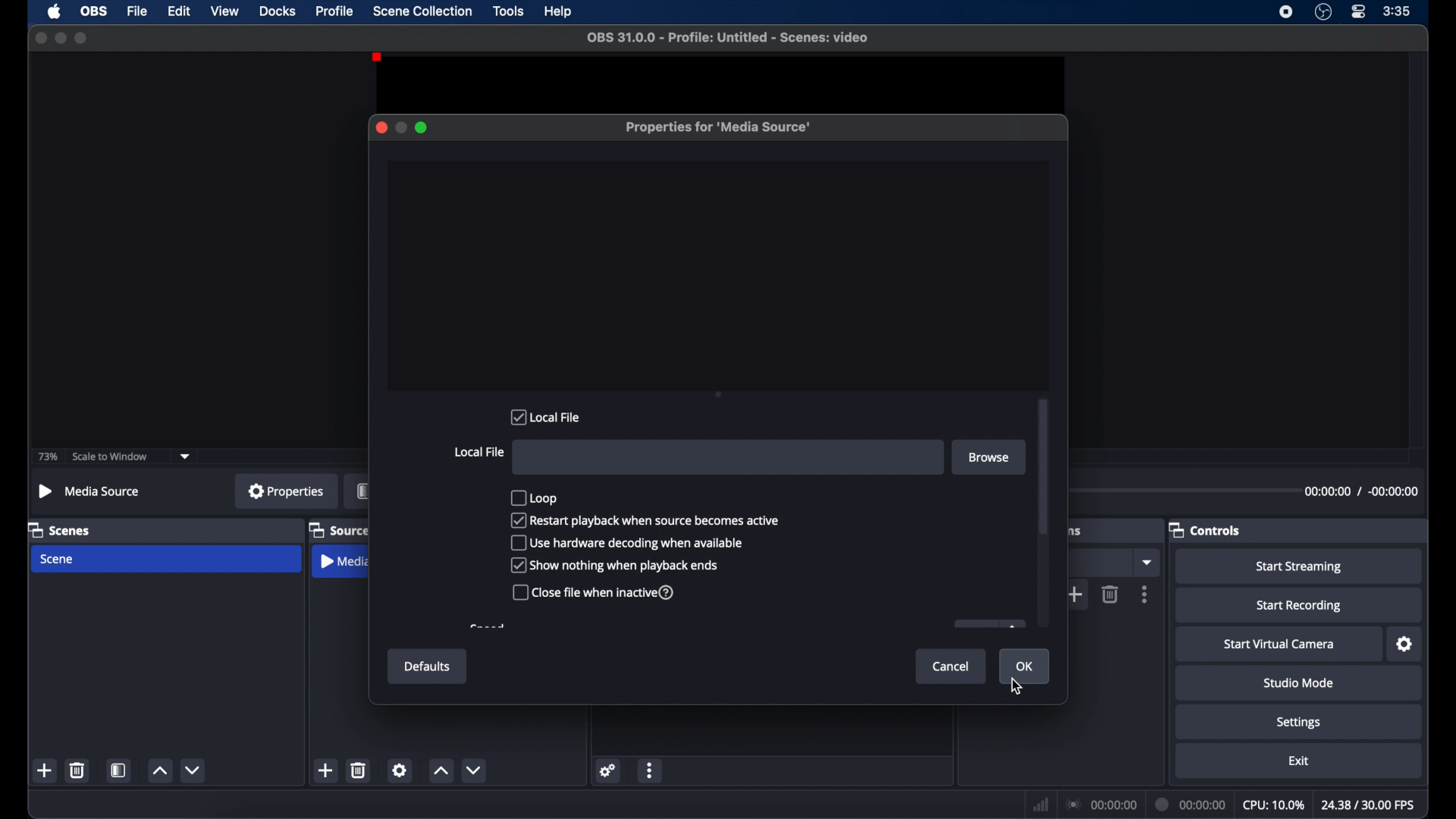 The image size is (1456, 819). I want to click on start virtual camera, so click(1280, 644).